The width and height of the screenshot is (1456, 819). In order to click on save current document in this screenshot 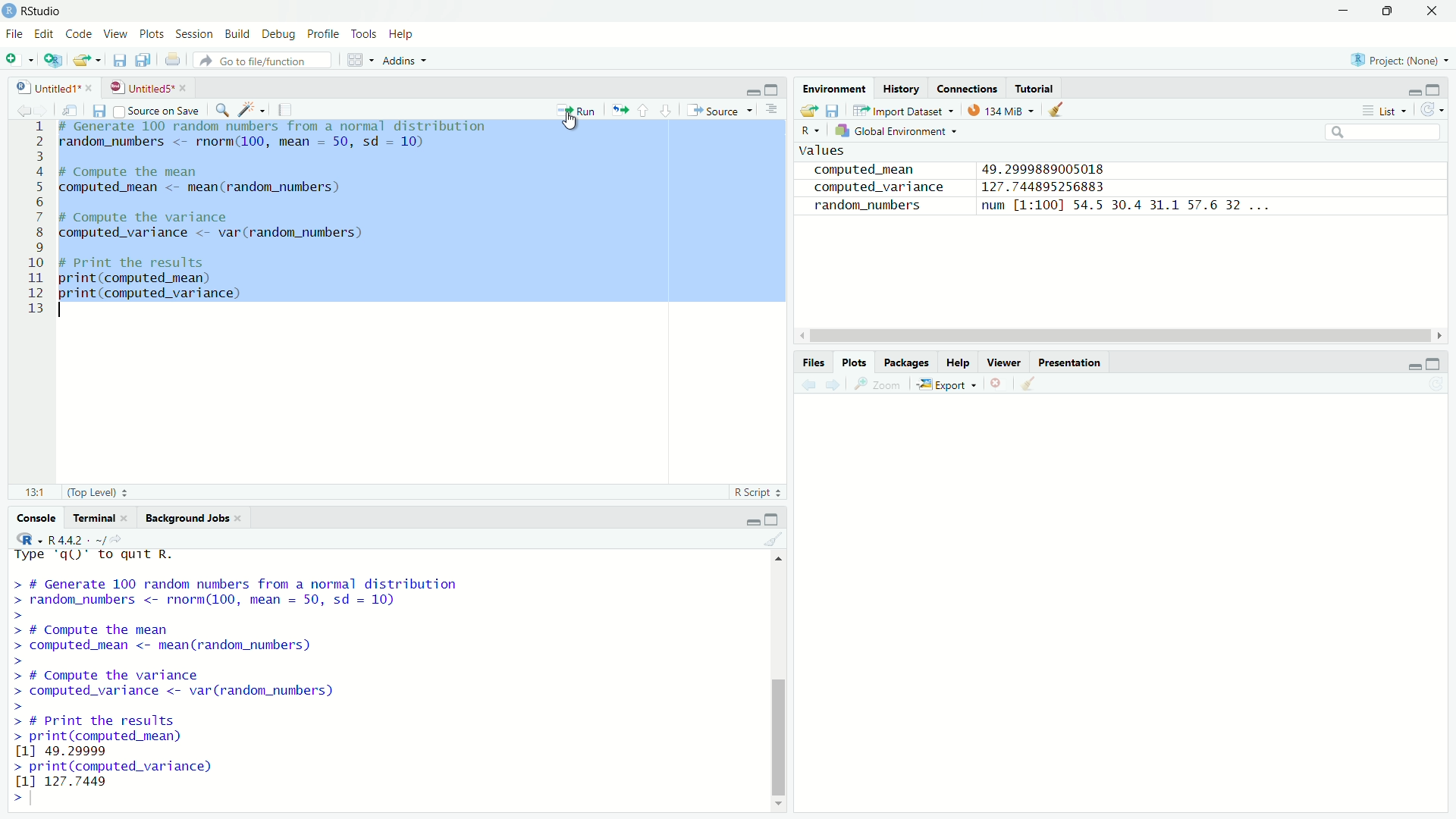, I will do `click(99, 110)`.